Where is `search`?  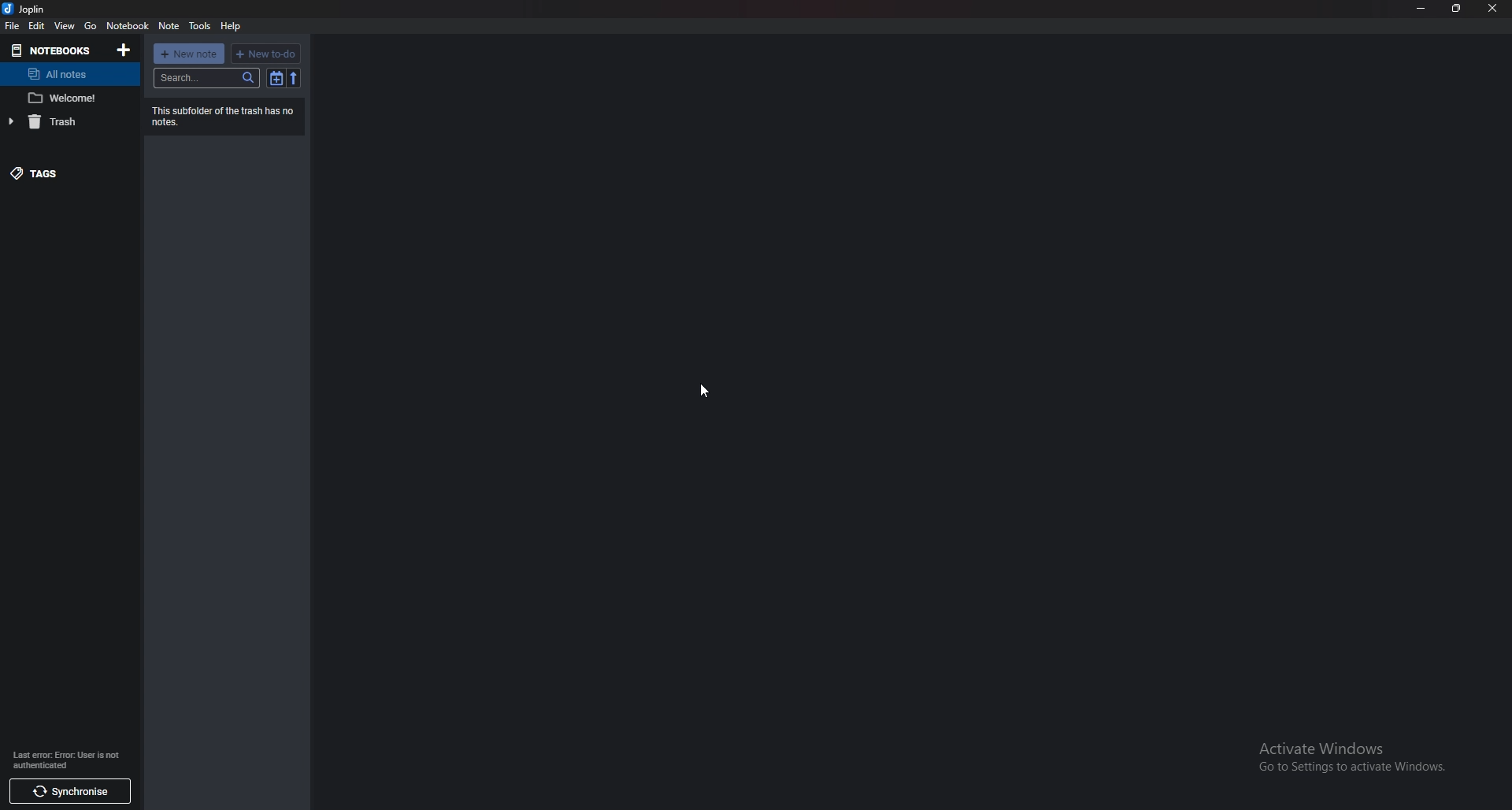
search is located at coordinates (208, 78).